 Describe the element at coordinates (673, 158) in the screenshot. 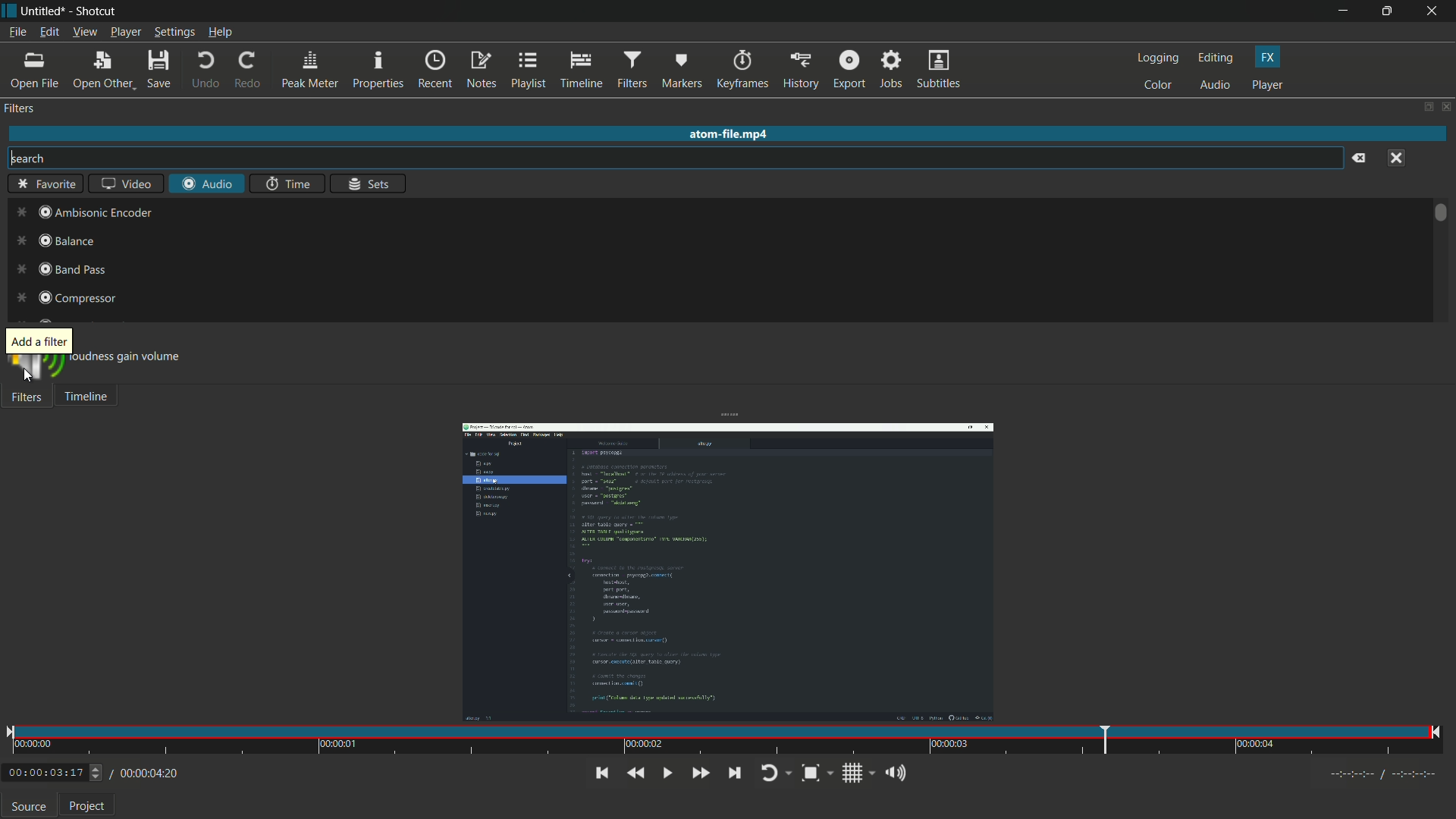

I see `search bar` at that location.